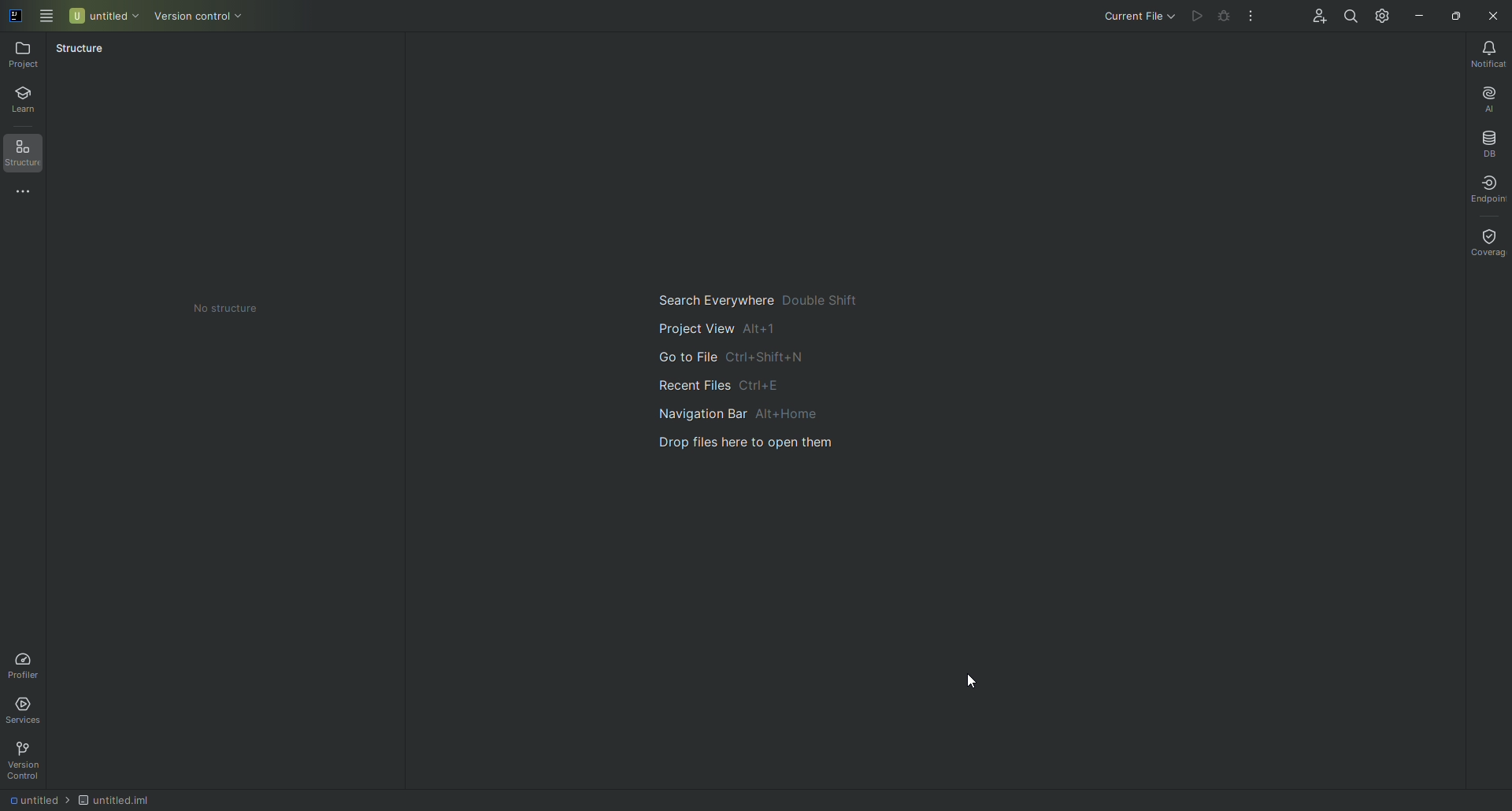 The width and height of the screenshot is (1512, 811). Describe the element at coordinates (1454, 14) in the screenshot. I see `Restore` at that location.